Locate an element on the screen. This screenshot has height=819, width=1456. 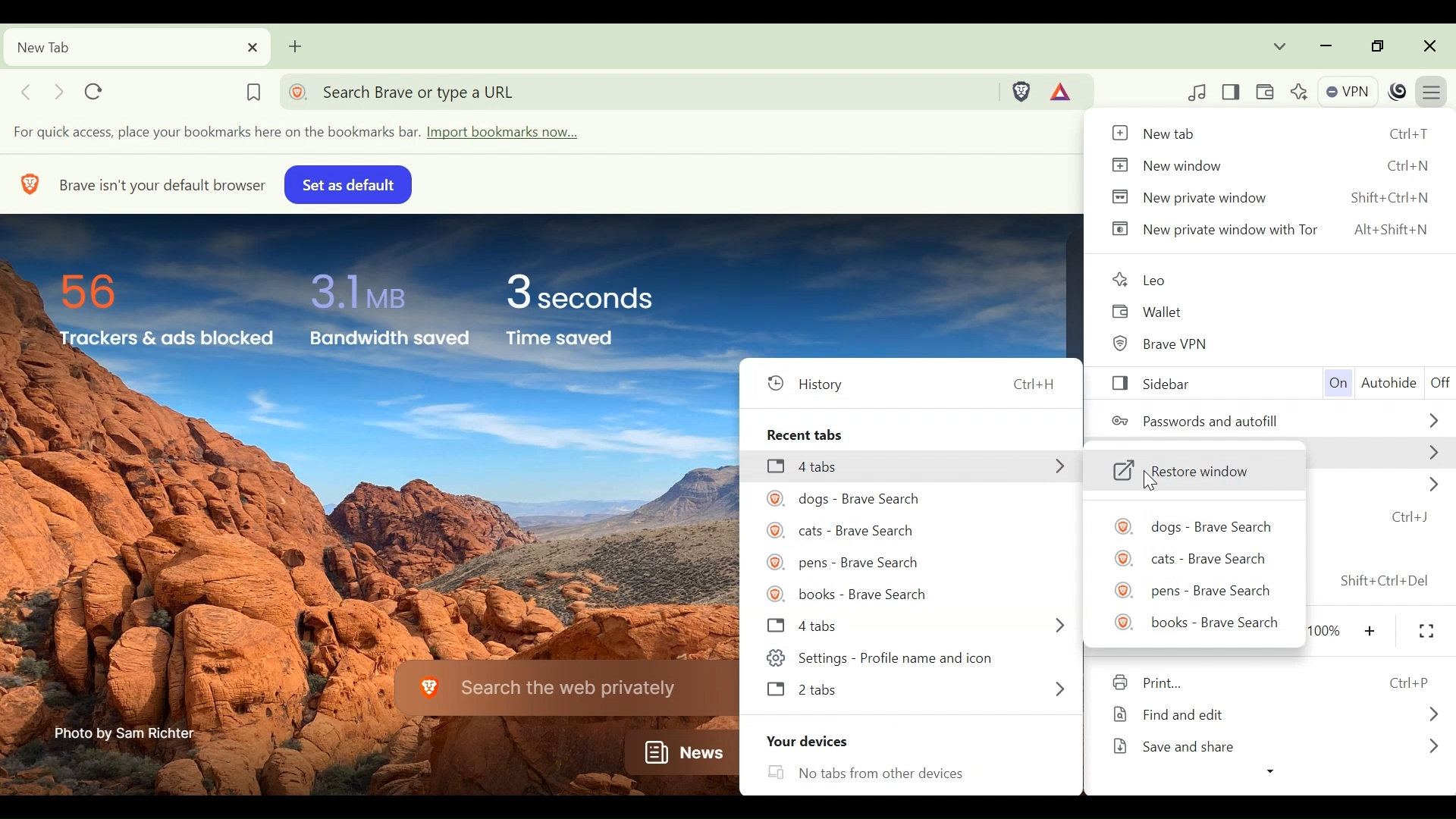
Time saved is located at coordinates (581, 341).